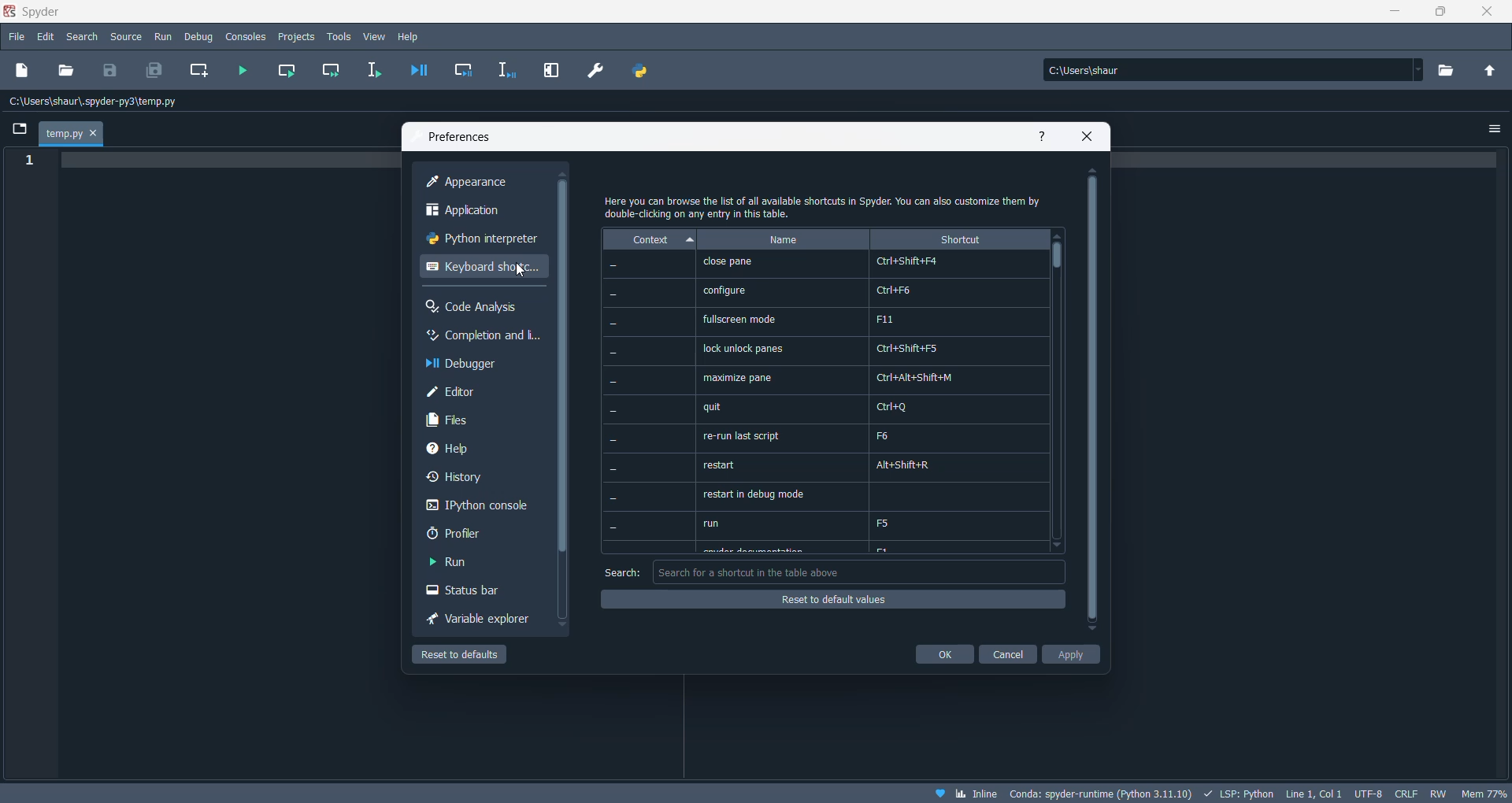 The width and height of the screenshot is (1512, 803). Describe the element at coordinates (417, 69) in the screenshot. I see `debug file` at that location.